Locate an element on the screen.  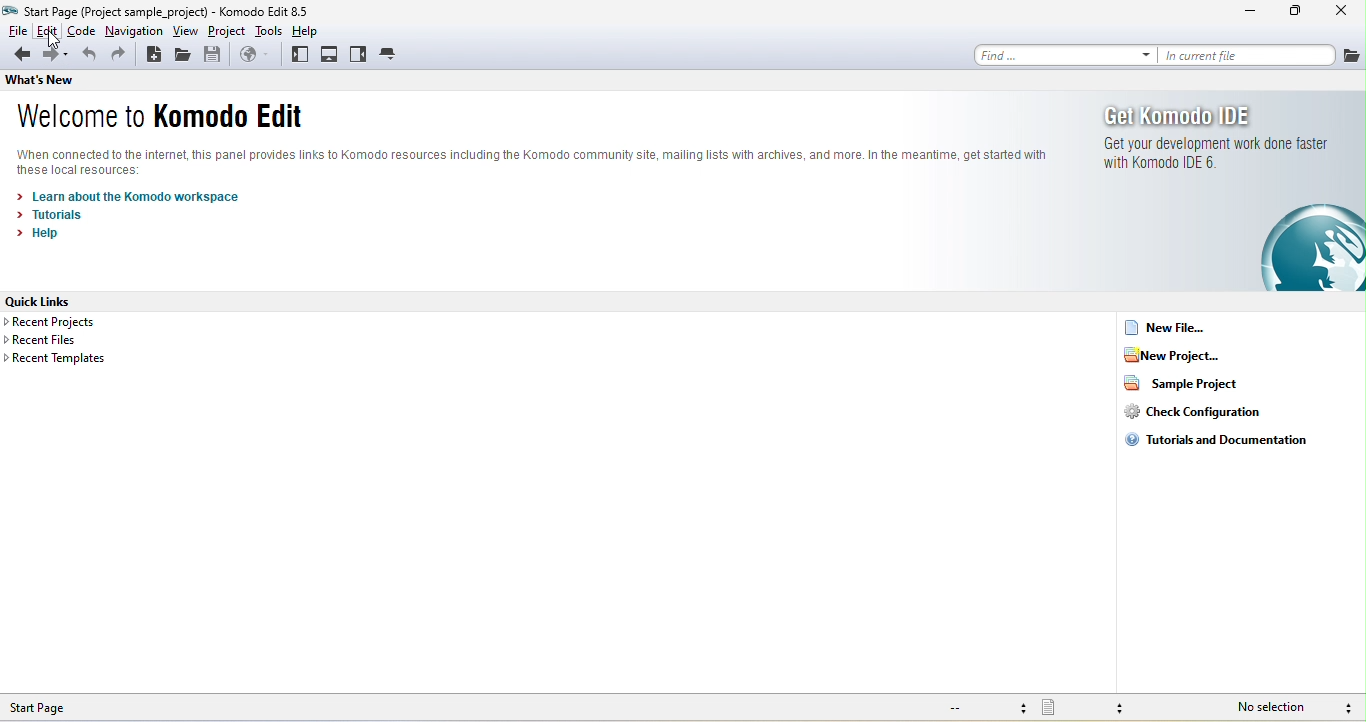
what's new is located at coordinates (53, 81).